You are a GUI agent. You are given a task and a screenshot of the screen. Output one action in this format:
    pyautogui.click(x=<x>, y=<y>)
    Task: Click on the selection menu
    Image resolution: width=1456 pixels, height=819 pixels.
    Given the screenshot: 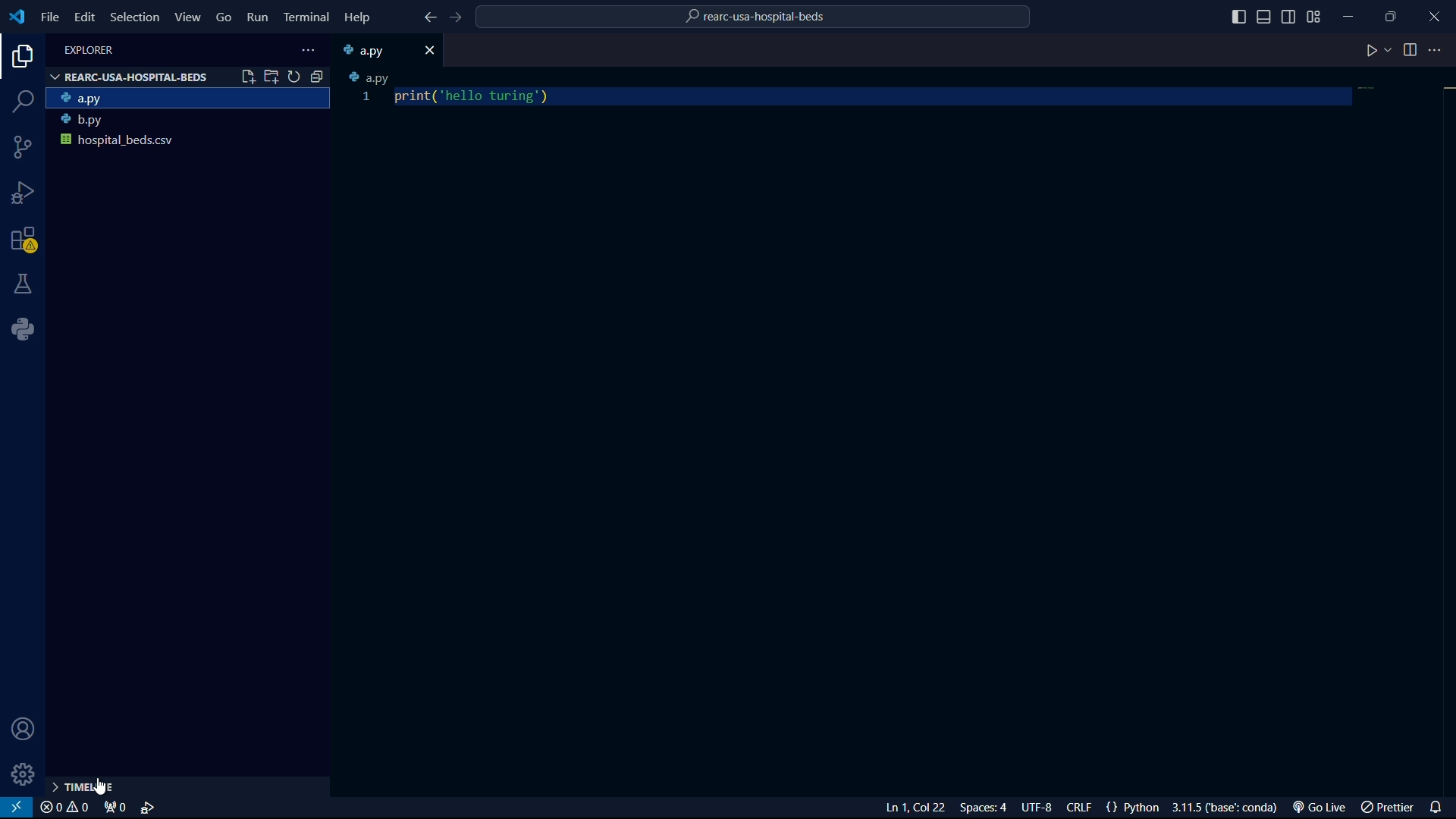 What is the action you would take?
    pyautogui.click(x=134, y=17)
    